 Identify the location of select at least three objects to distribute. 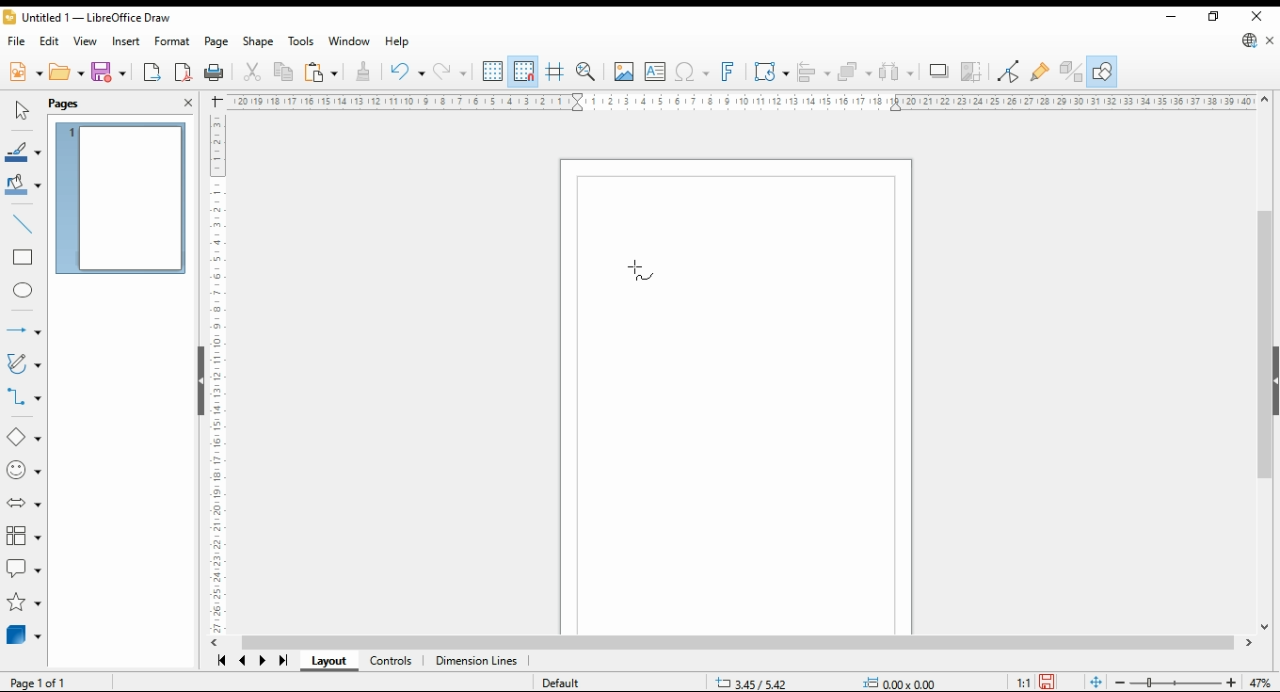
(895, 72).